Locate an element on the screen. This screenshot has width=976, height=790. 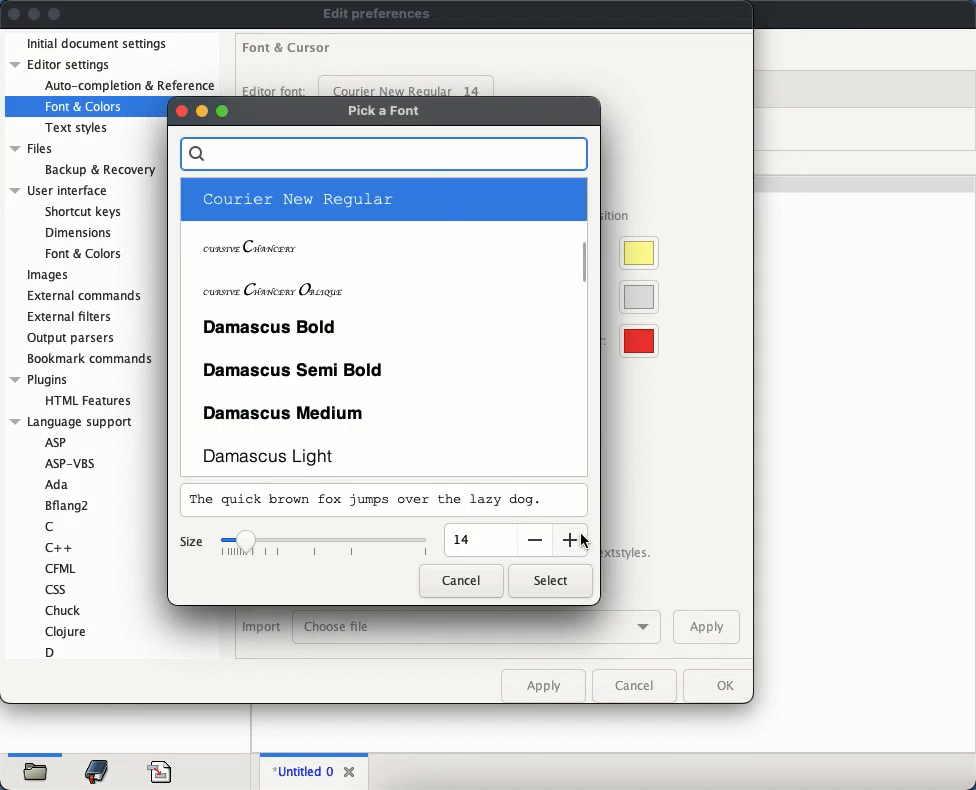
close is located at coordinates (351, 769).